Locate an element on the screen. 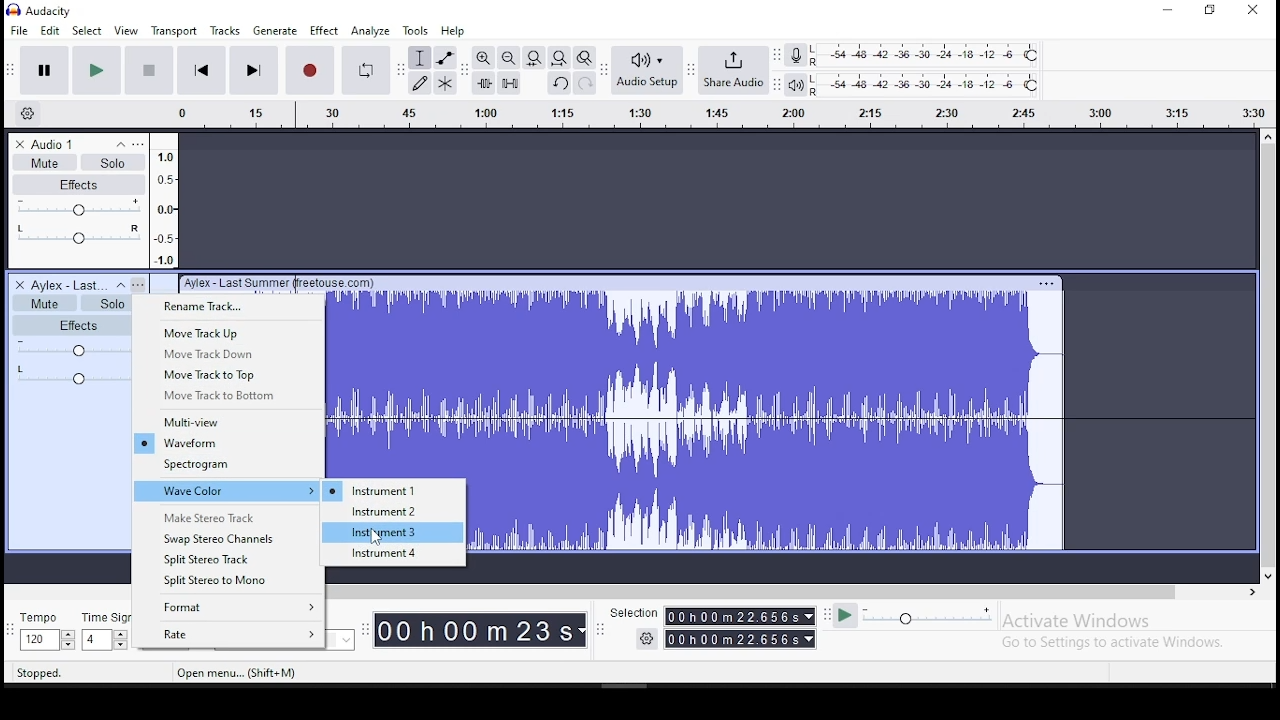 The image size is (1280, 720). Seeker is located at coordinates (164, 200).